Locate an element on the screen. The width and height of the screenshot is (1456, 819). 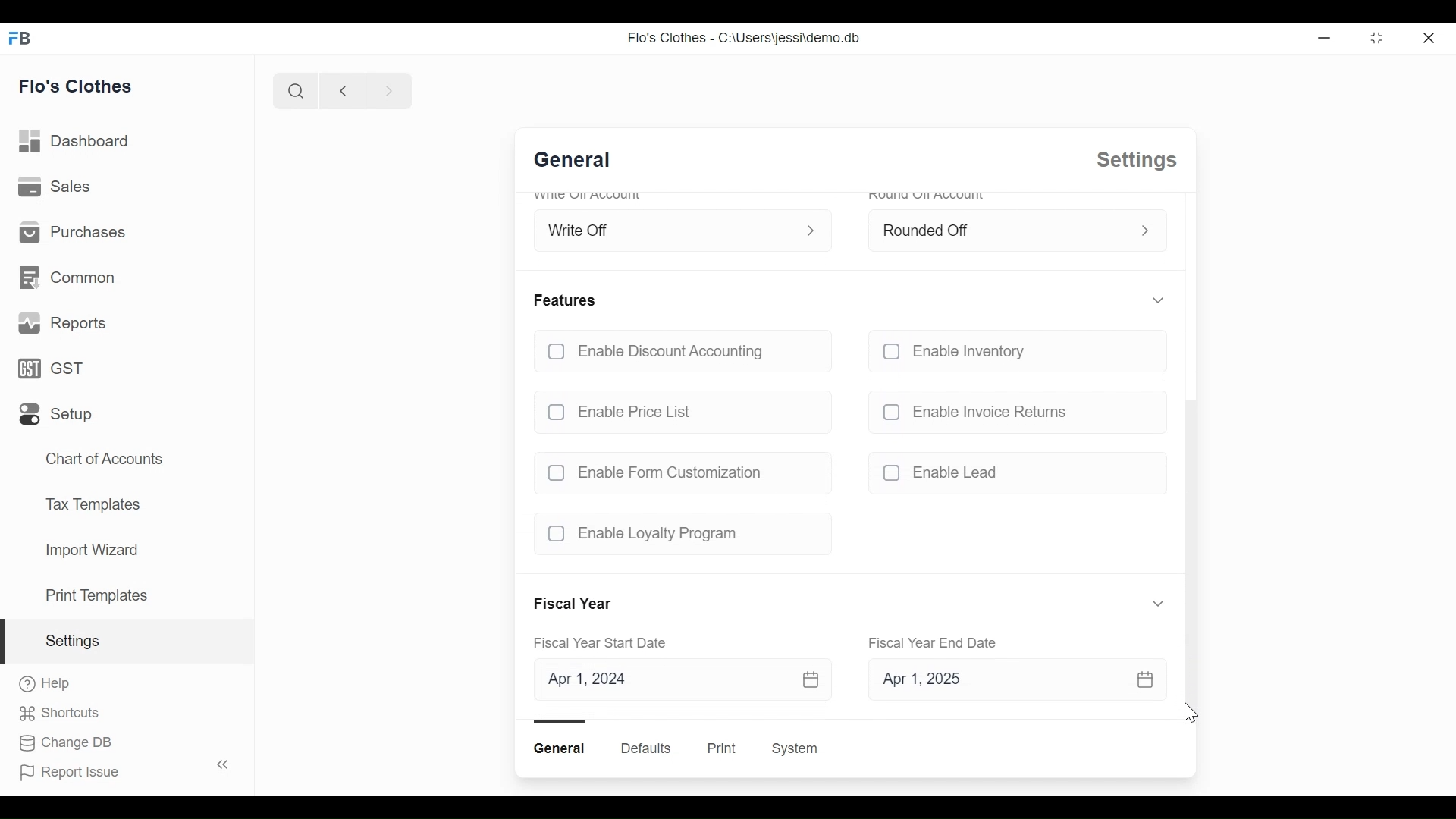
Import Wizard is located at coordinates (91, 551).